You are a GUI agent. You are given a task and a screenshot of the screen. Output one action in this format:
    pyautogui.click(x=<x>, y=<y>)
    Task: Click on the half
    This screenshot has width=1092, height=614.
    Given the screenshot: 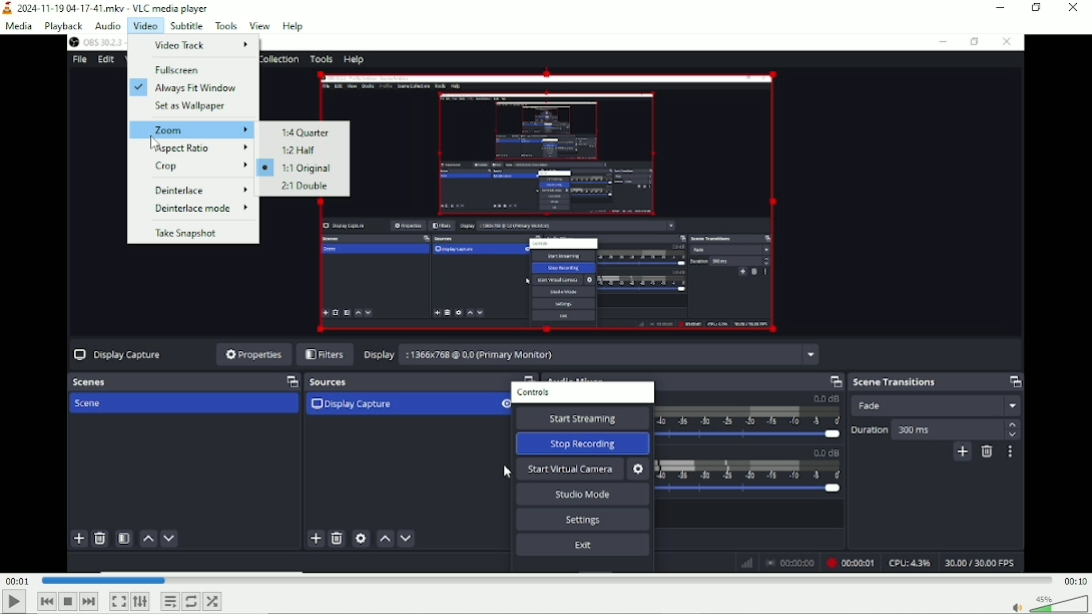 What is the action you would take?
    pyautogui.click(x=303, y=150)
    